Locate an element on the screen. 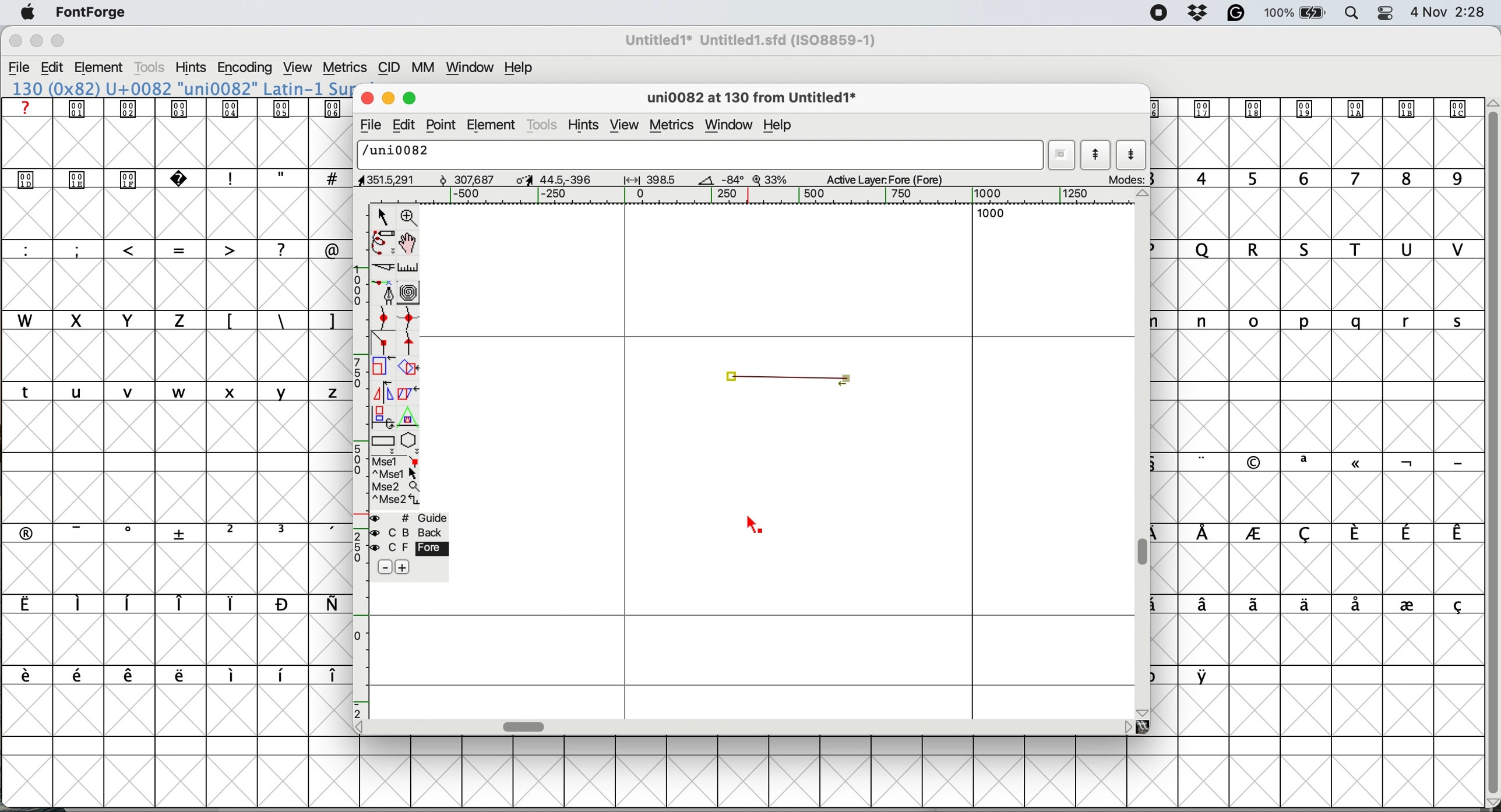 The image size is (1501, 812). dimensions is located at coordinates (541, 179).